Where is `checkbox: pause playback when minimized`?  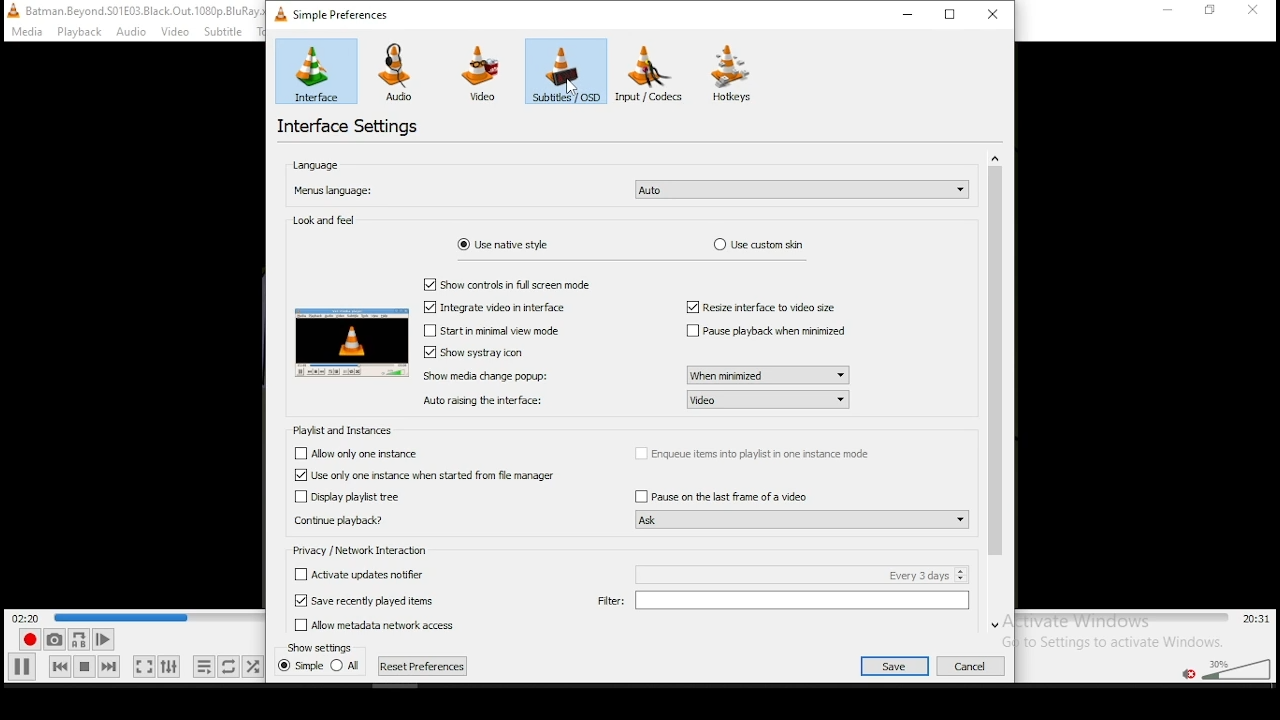 checkbox: pause playback when minimized is located at coordinates (766, 331).